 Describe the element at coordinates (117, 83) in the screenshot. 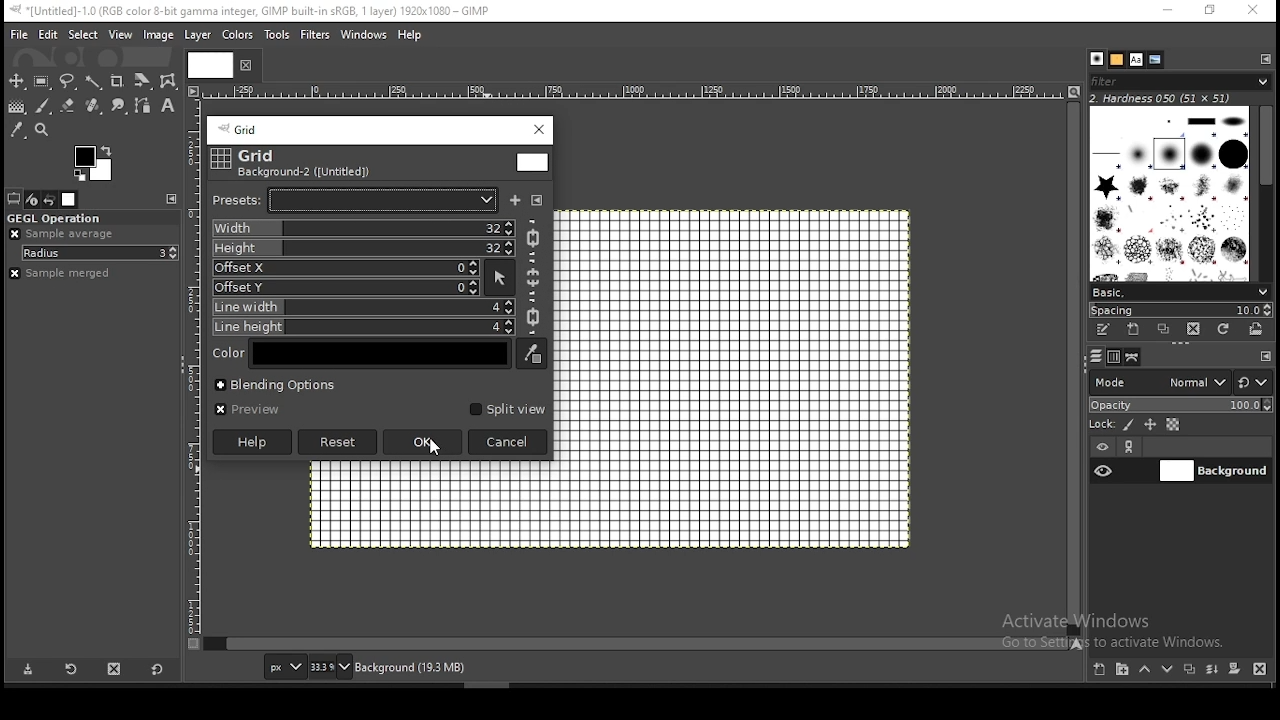

I see `crop tool` at that location.